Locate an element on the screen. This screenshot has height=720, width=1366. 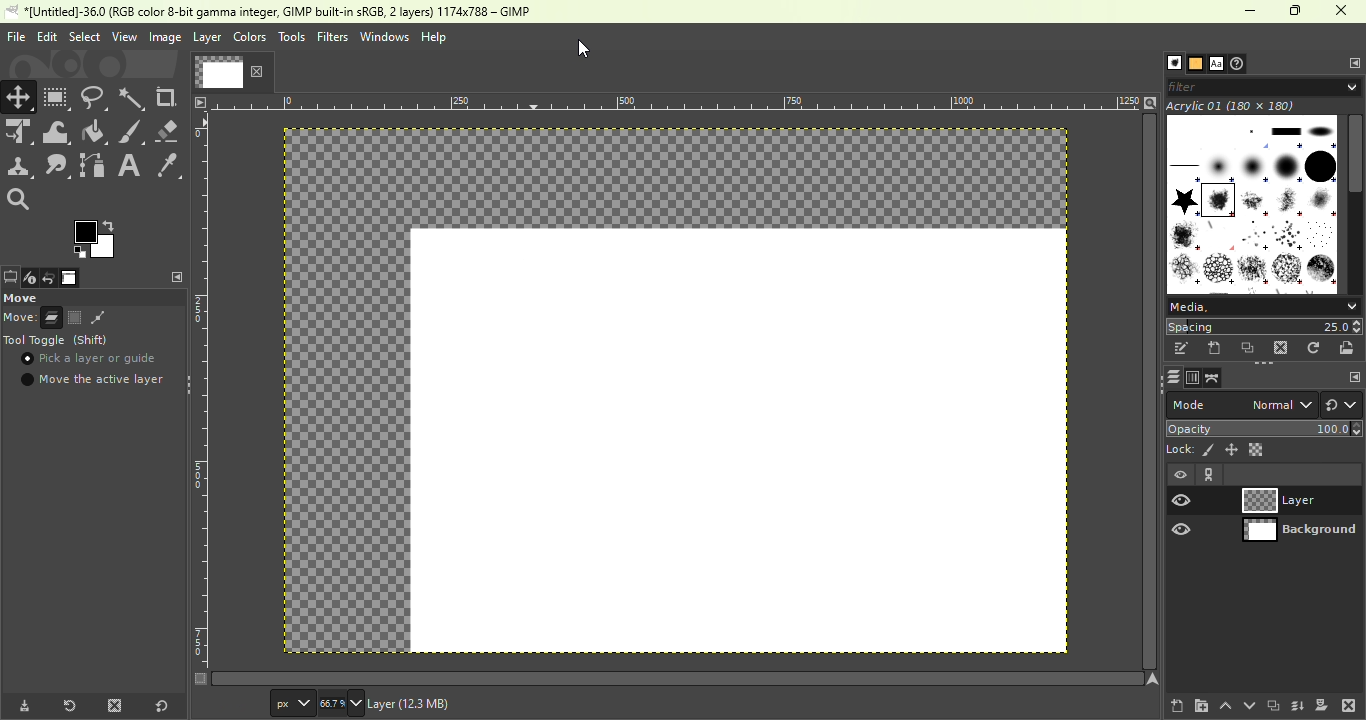
Horizontal scroll bar is located at coordinates (1356, 204).